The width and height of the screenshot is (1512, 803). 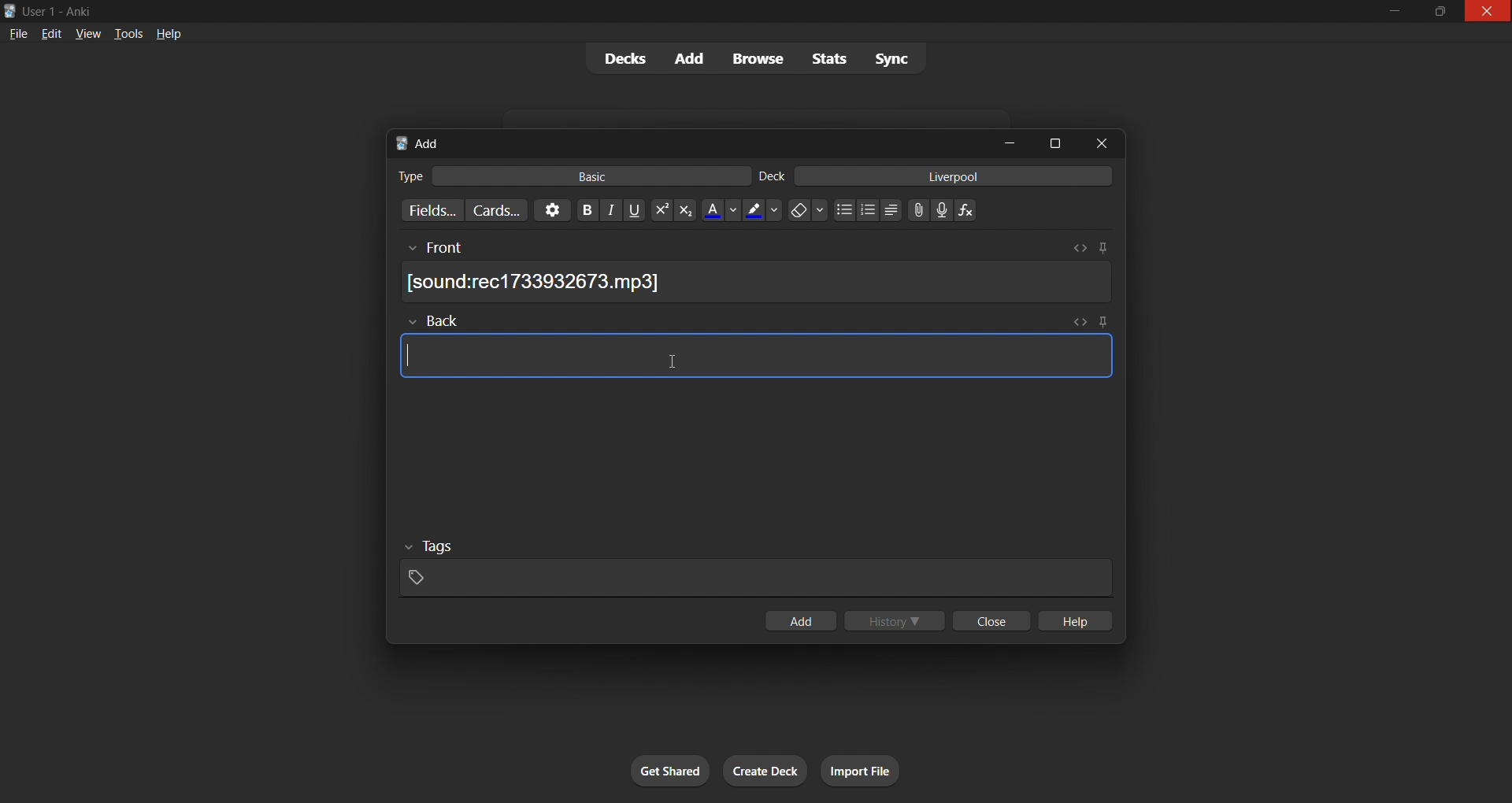 What do you see at coordinates (775, 175) in the screenshot?
I see `deck ` at bounding box center [775, 175].